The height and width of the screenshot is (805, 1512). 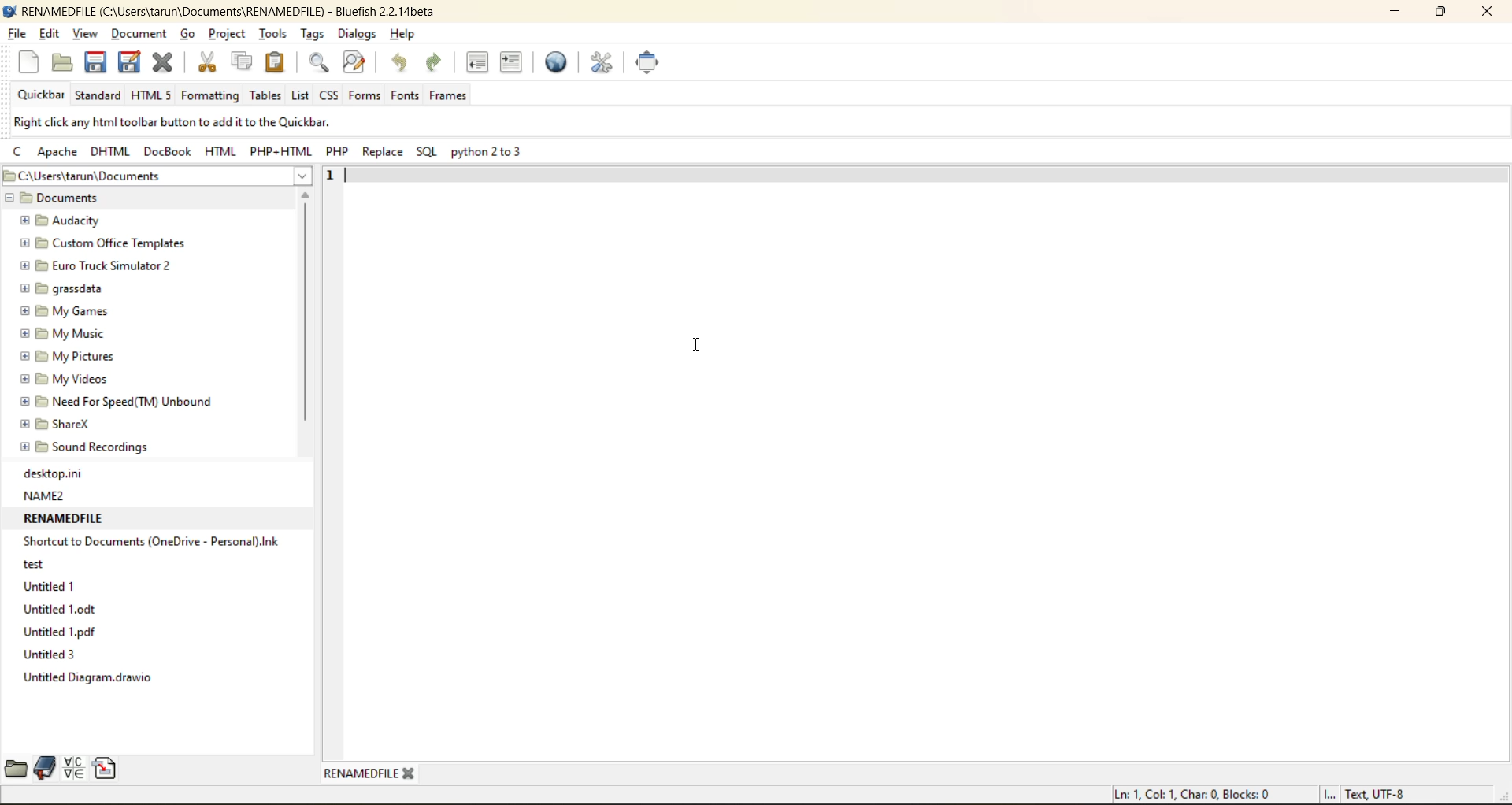 What do you see at coordinates (1445, 13) in the screenshot?
I see `maximize` at bounding box center [1445, 13].